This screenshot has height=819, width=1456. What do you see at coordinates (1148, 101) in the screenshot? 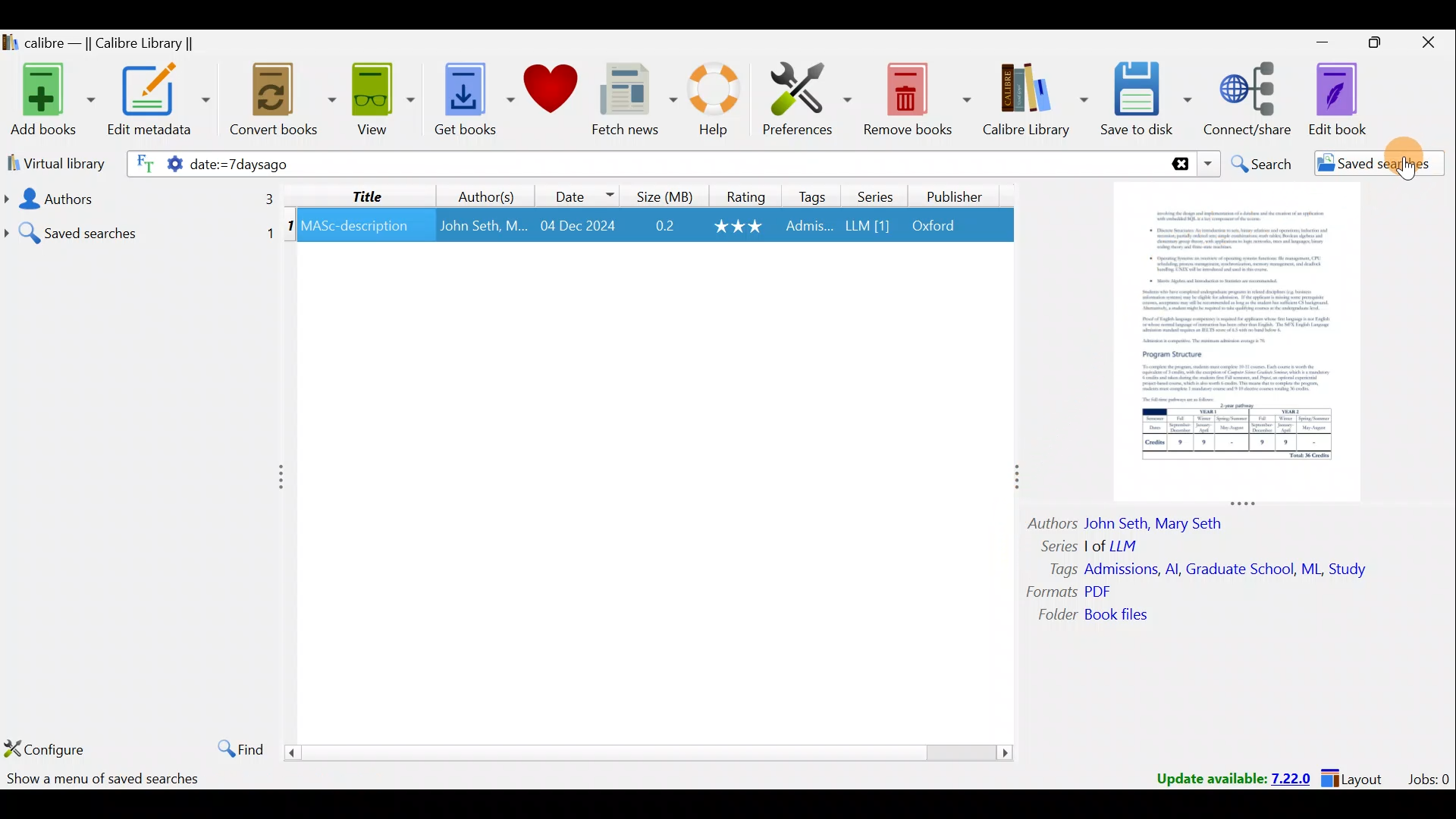
I see `Save to disk` at bounding box center [1148, 101].